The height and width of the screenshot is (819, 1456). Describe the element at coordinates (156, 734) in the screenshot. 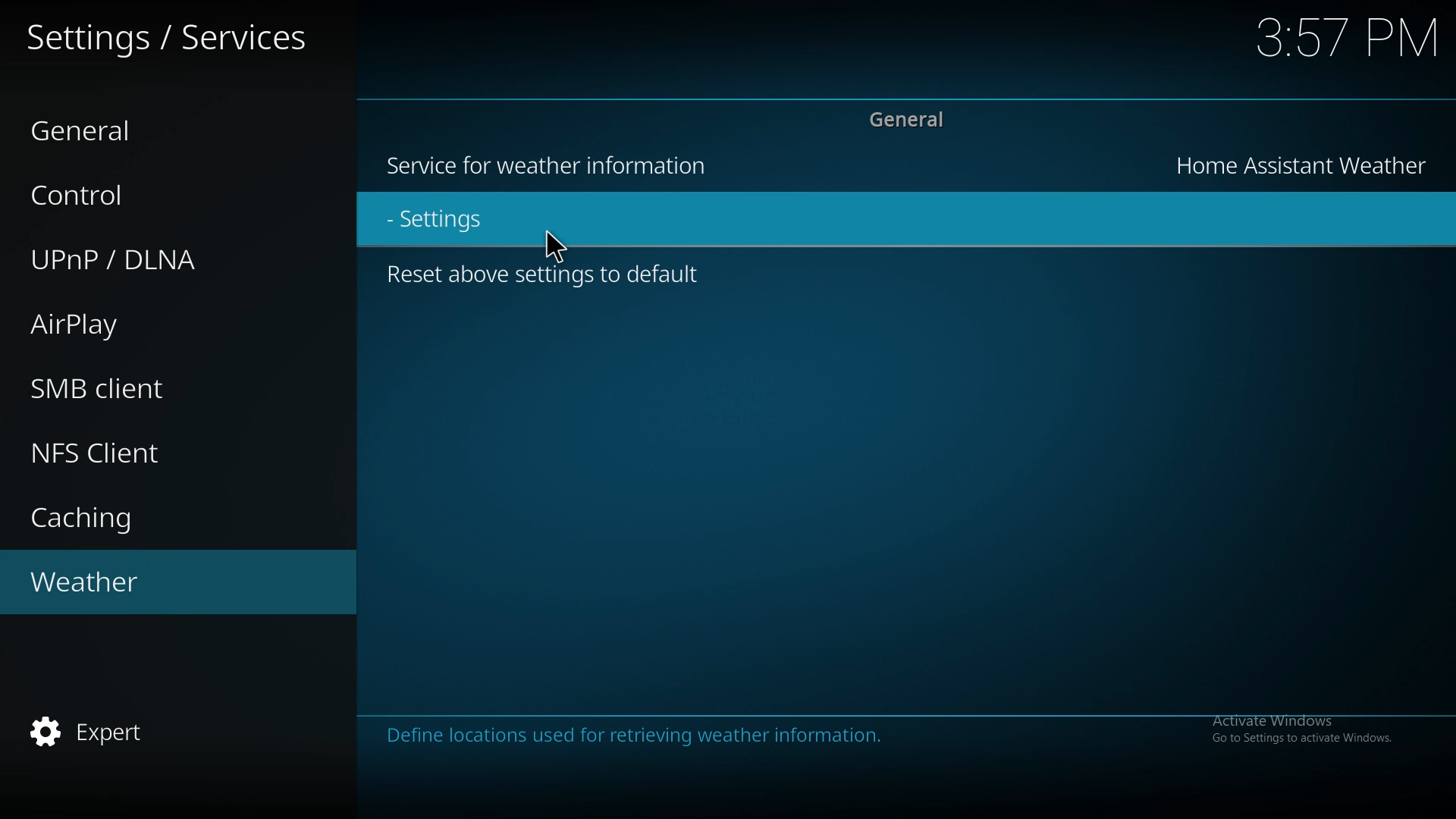

I see `expert` at that location.